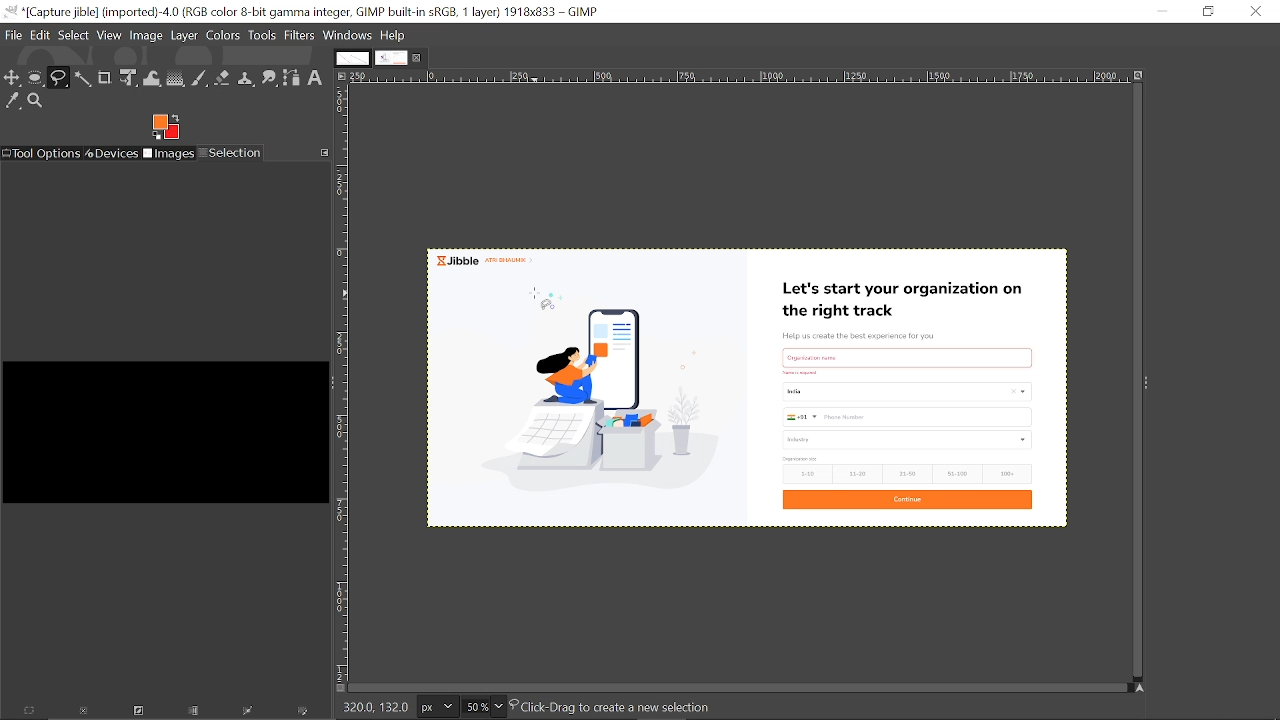 The height and width of the screenshot is (720, 1280). What do you see at coordinates (1140, 686) in the screenshot?
I see `Navigate this display` at bounding box center [1140, 686].